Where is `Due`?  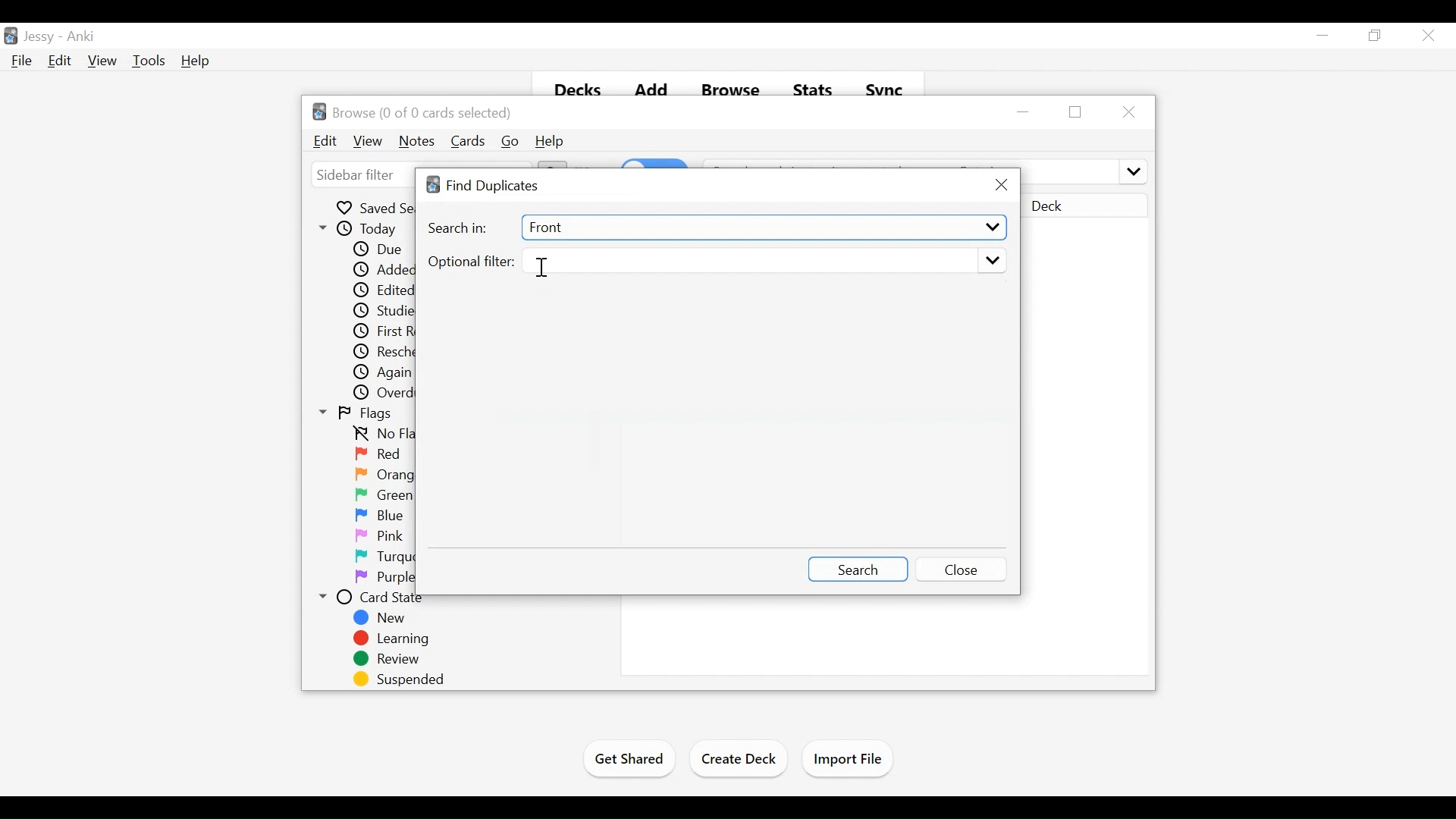 Due is located at coordinates (376, 249).